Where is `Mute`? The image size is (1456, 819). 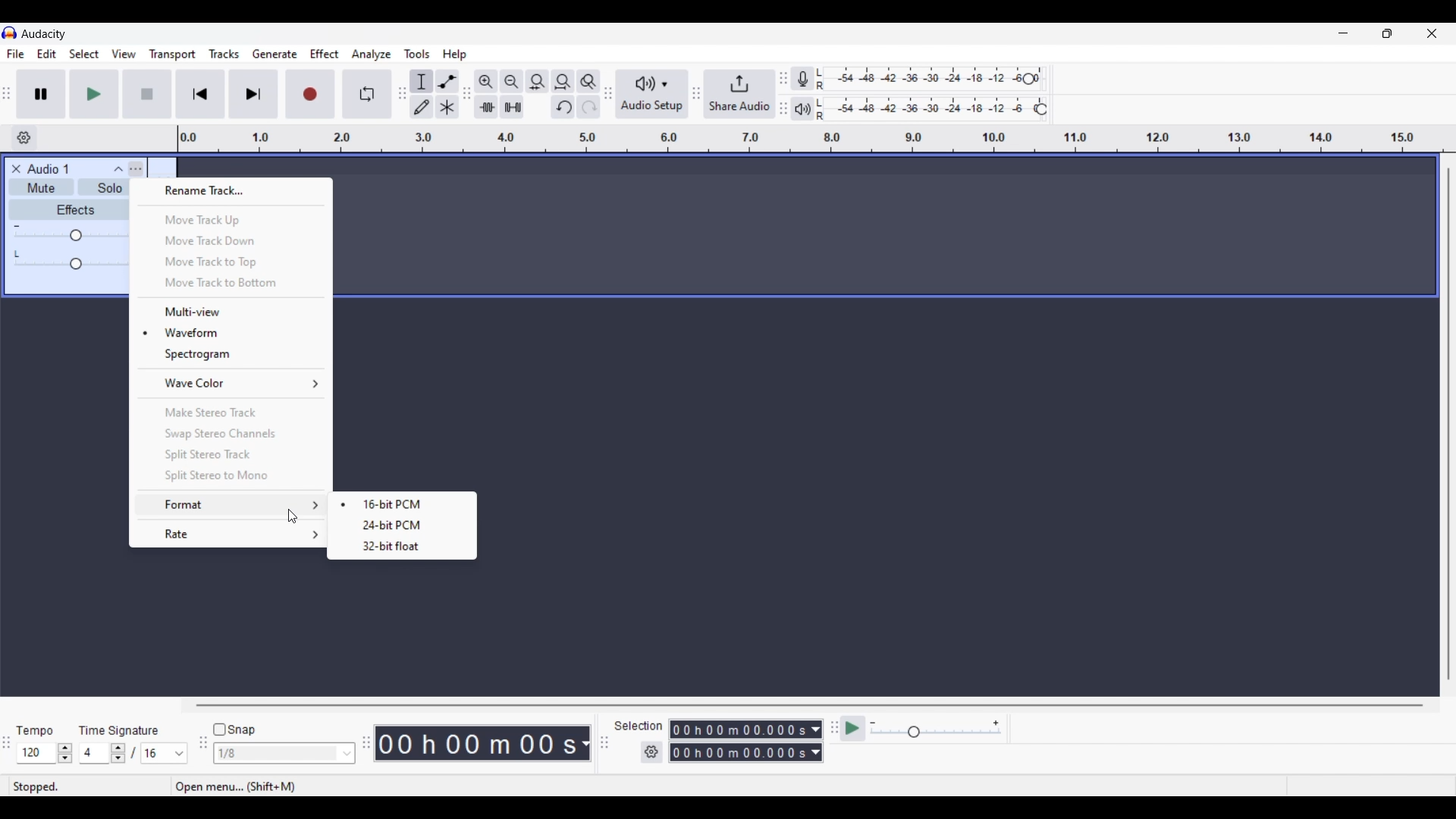 Mute is located at coordinates (39, 190).